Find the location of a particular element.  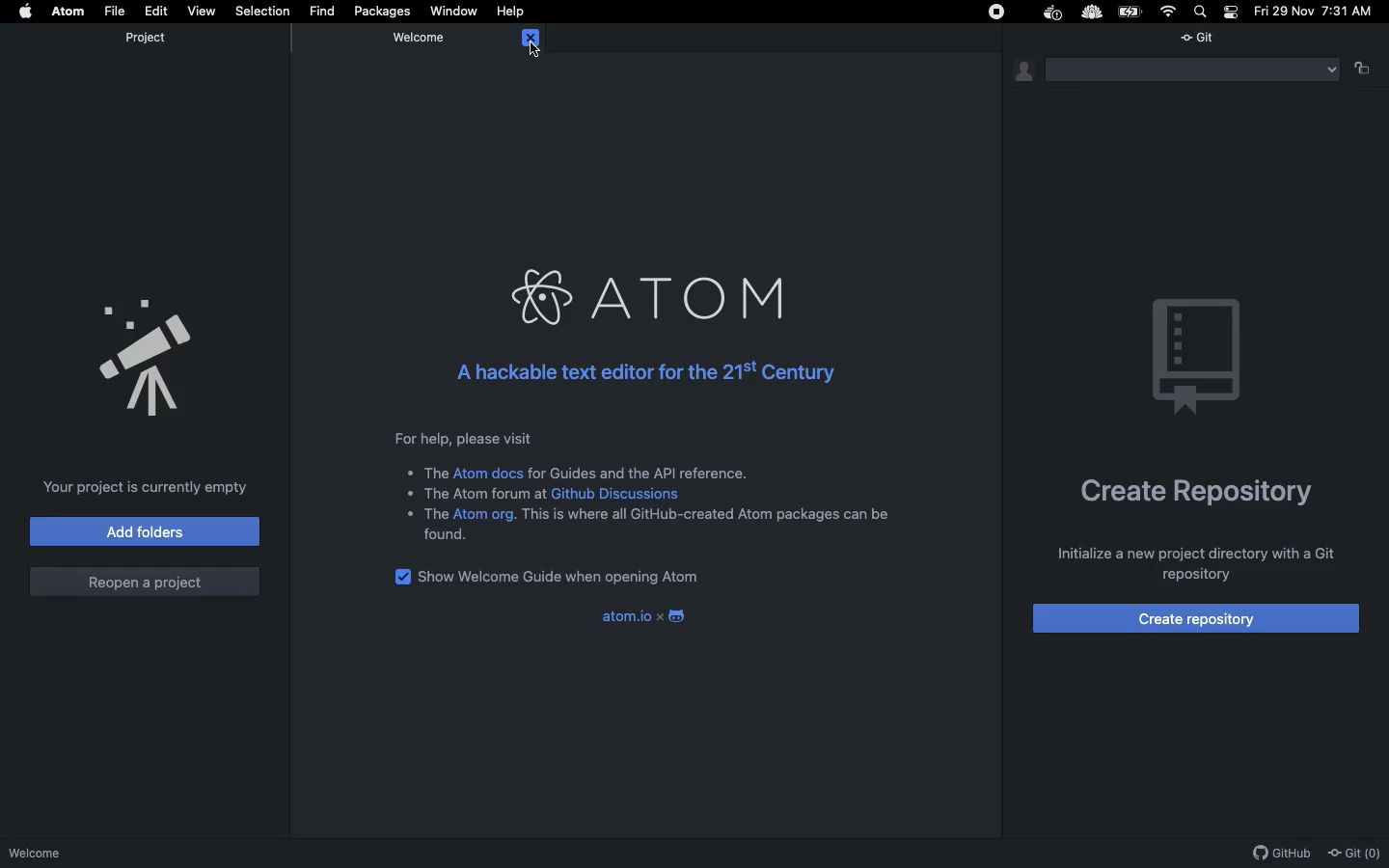

Create repository is located at coordinates (1197, 619).